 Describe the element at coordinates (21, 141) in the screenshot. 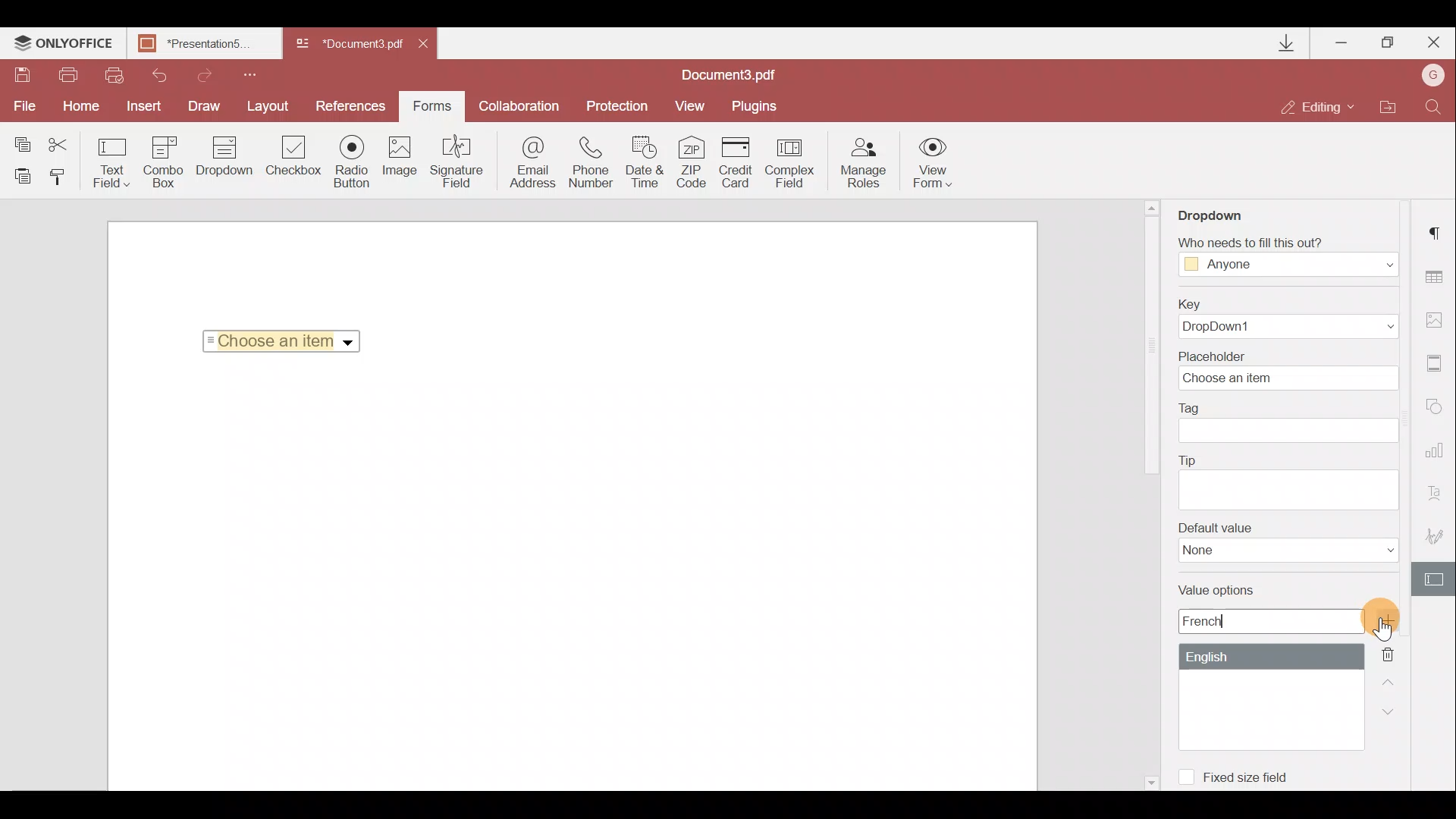

I see `Copy` at that location.